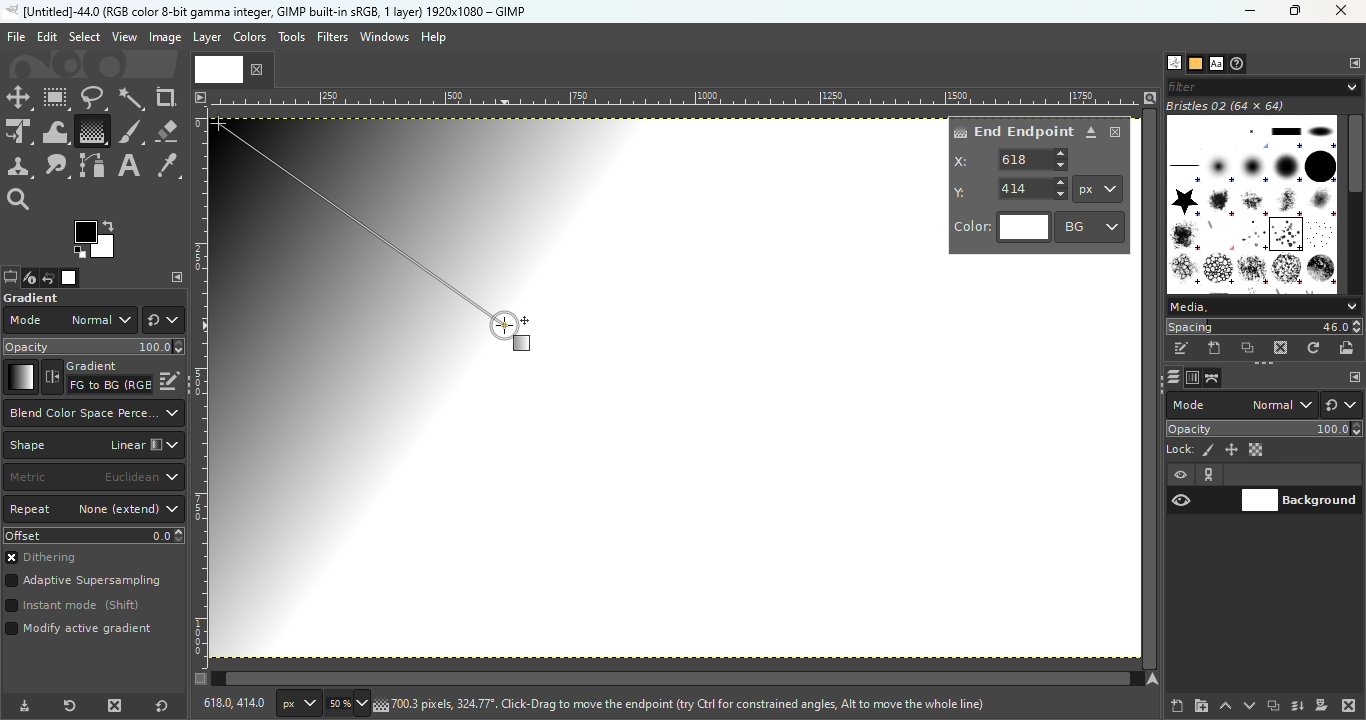 This screenshot has width=1366, height=720. I want to click on Access the image menu, so click(199, 95).